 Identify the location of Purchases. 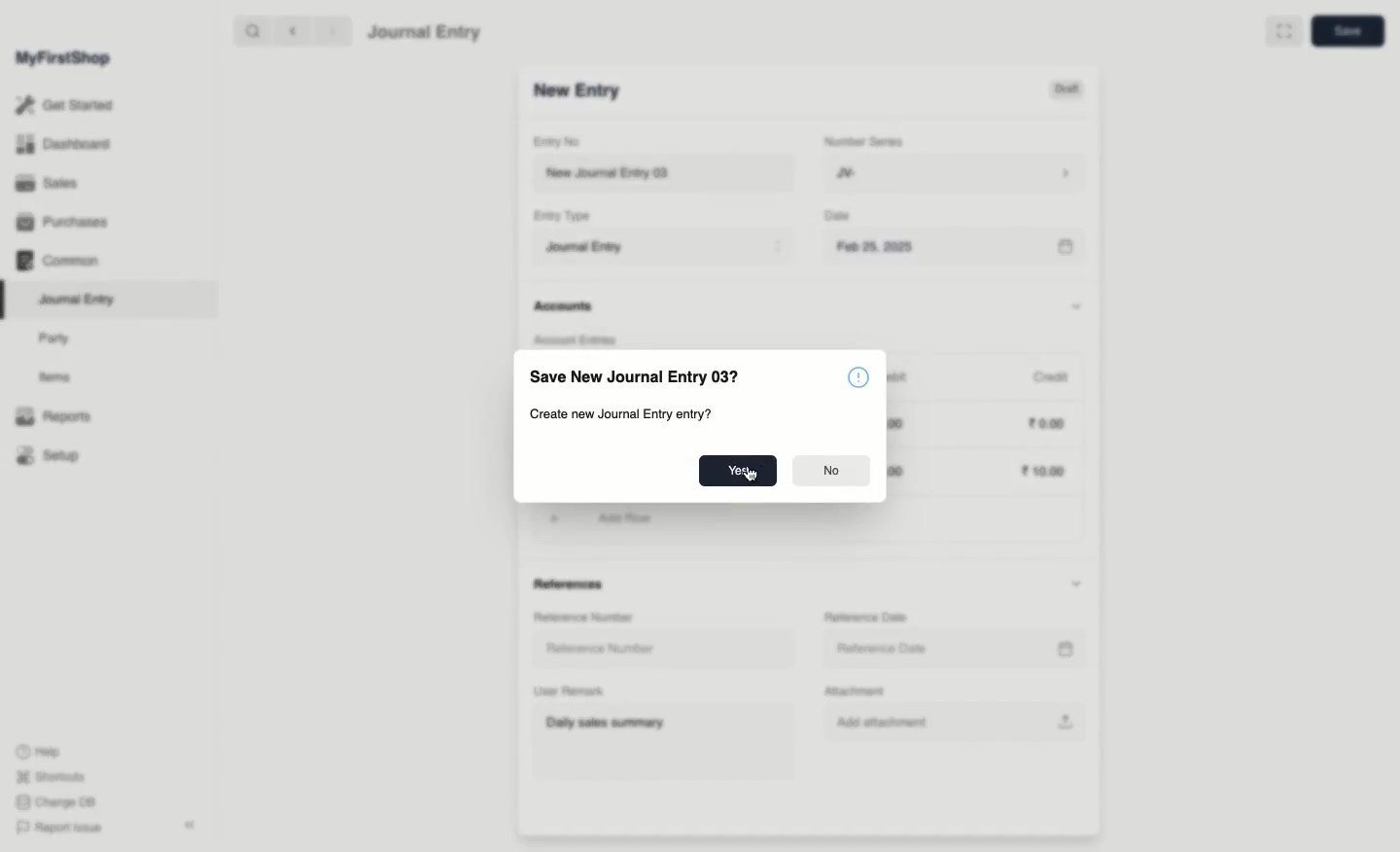
(67, 223).